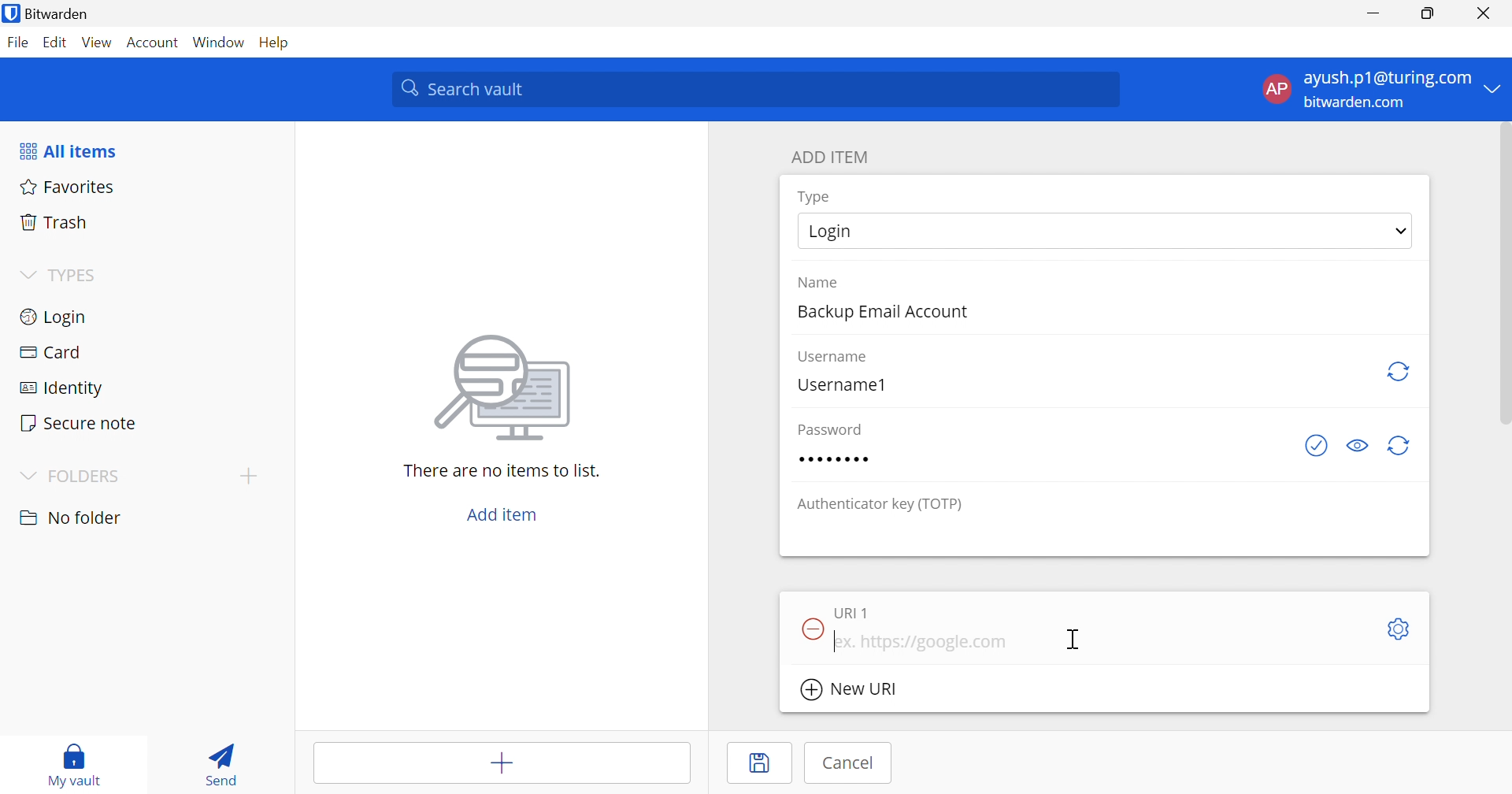  I want to click on Drop down, so click(1401, 231).